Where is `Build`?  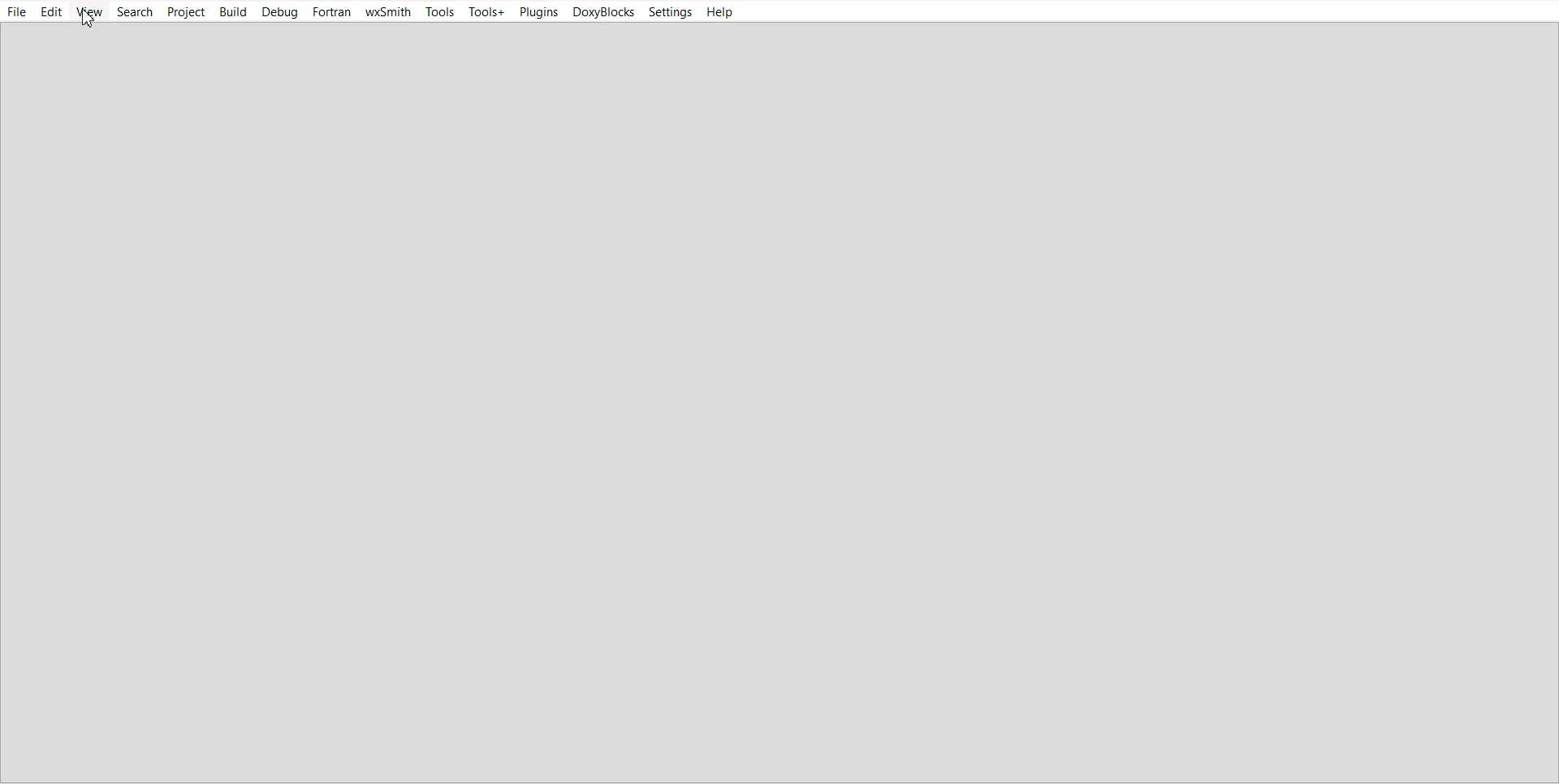 Build is located at coordinates (234, 12).